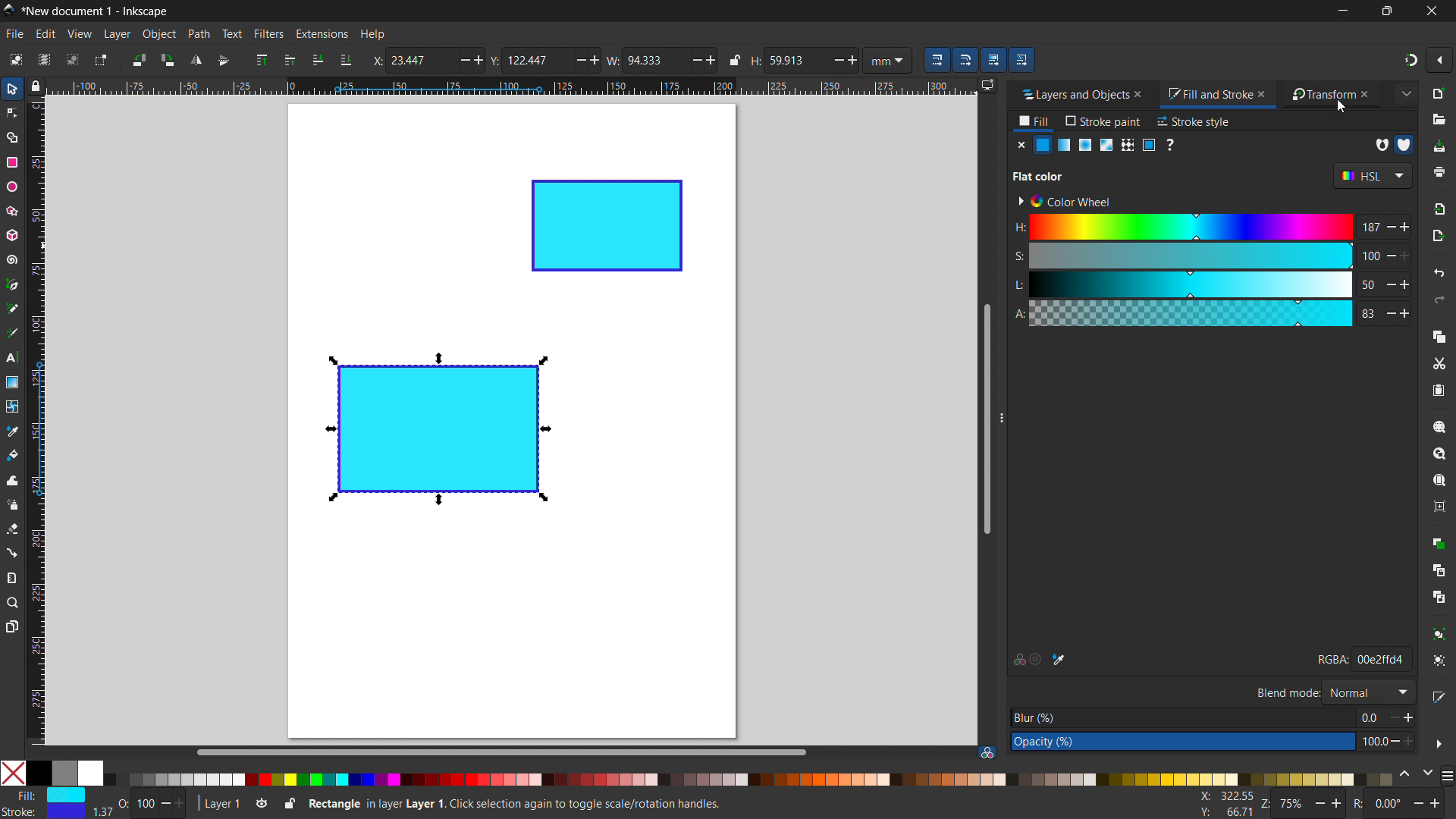  I want to click on mesh gradient, so click(1107, 145).